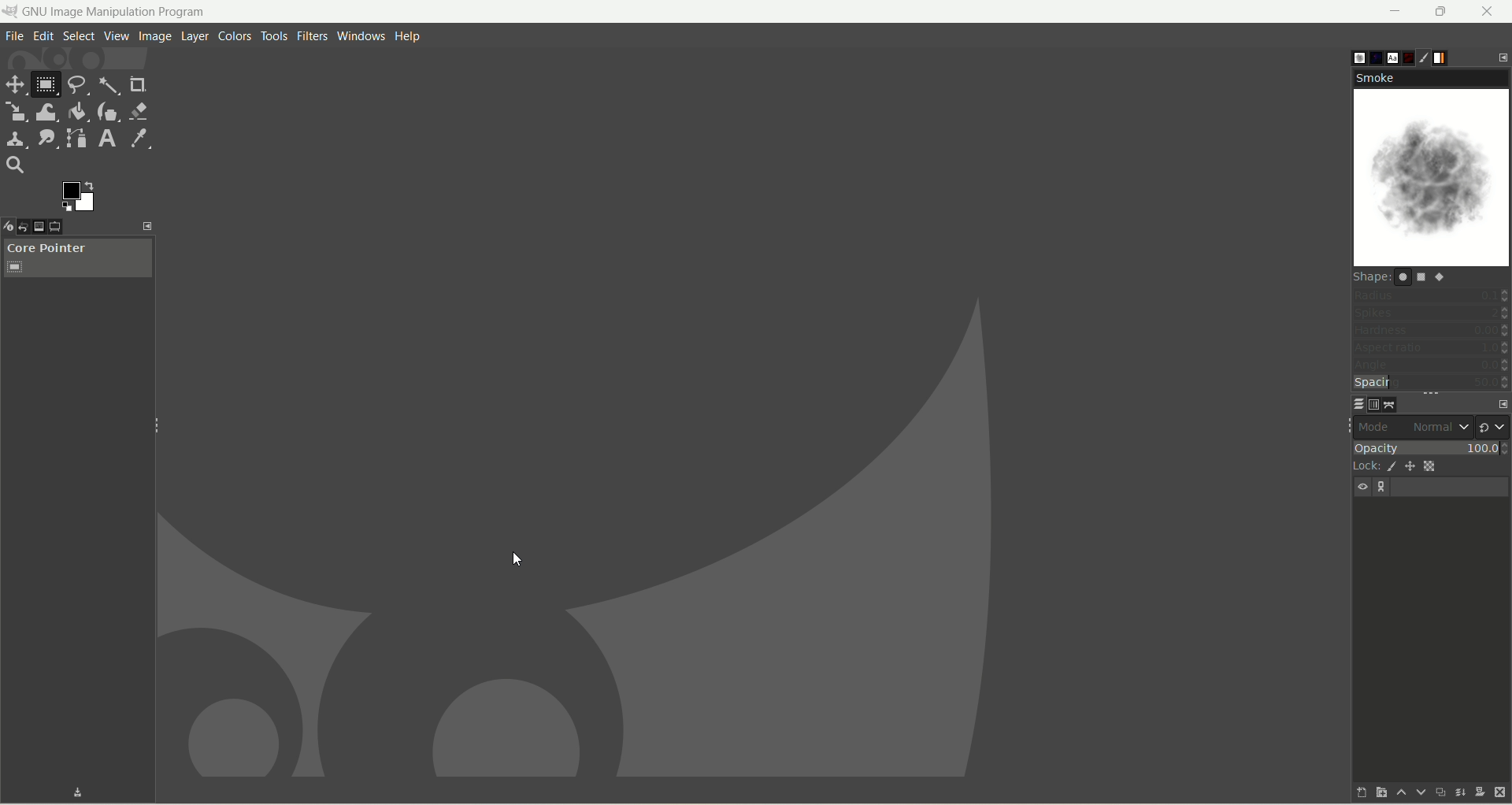 The height and width of the screenshot is (805, 1512). Describe the element at coordinates (1478, 792) in the screenshot. I see `add a mask` at that location.